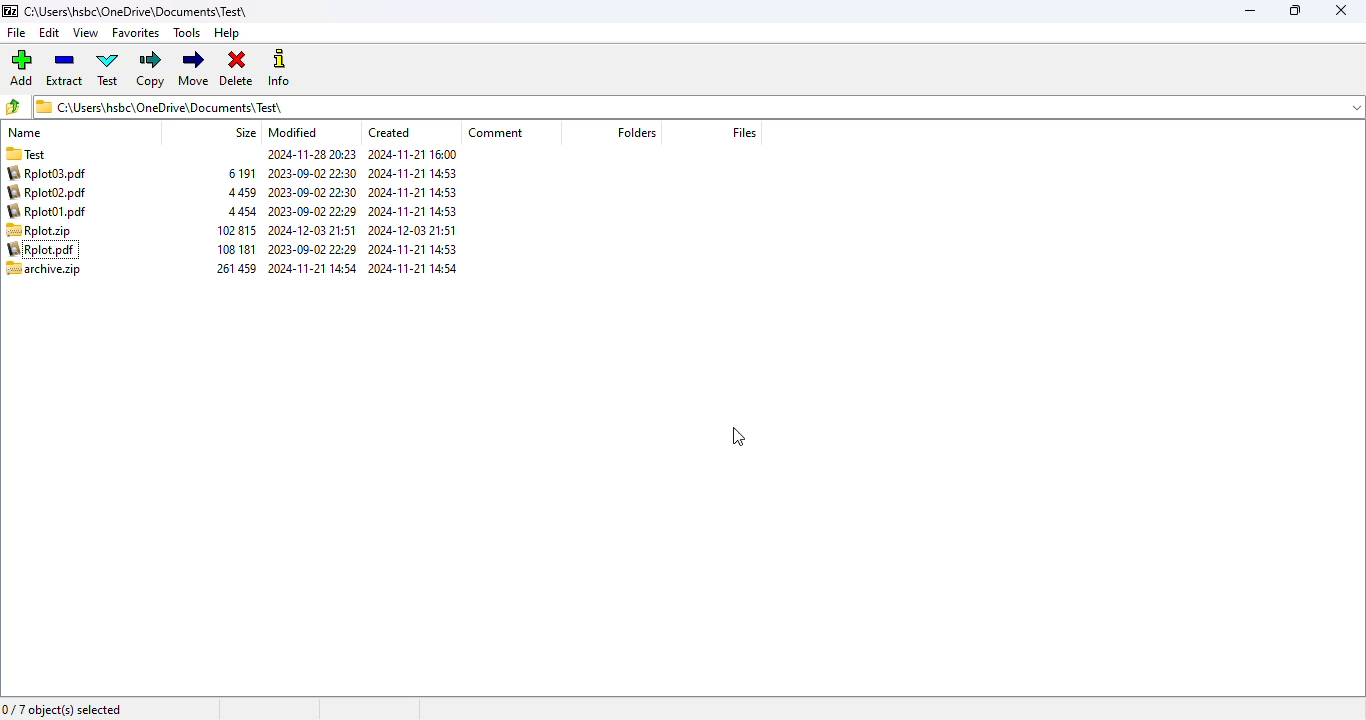 This screenshot has width=1366, height=720. Describe the element at coordinates (55, 249) in the screenshot. I see `pdf file` at that location.